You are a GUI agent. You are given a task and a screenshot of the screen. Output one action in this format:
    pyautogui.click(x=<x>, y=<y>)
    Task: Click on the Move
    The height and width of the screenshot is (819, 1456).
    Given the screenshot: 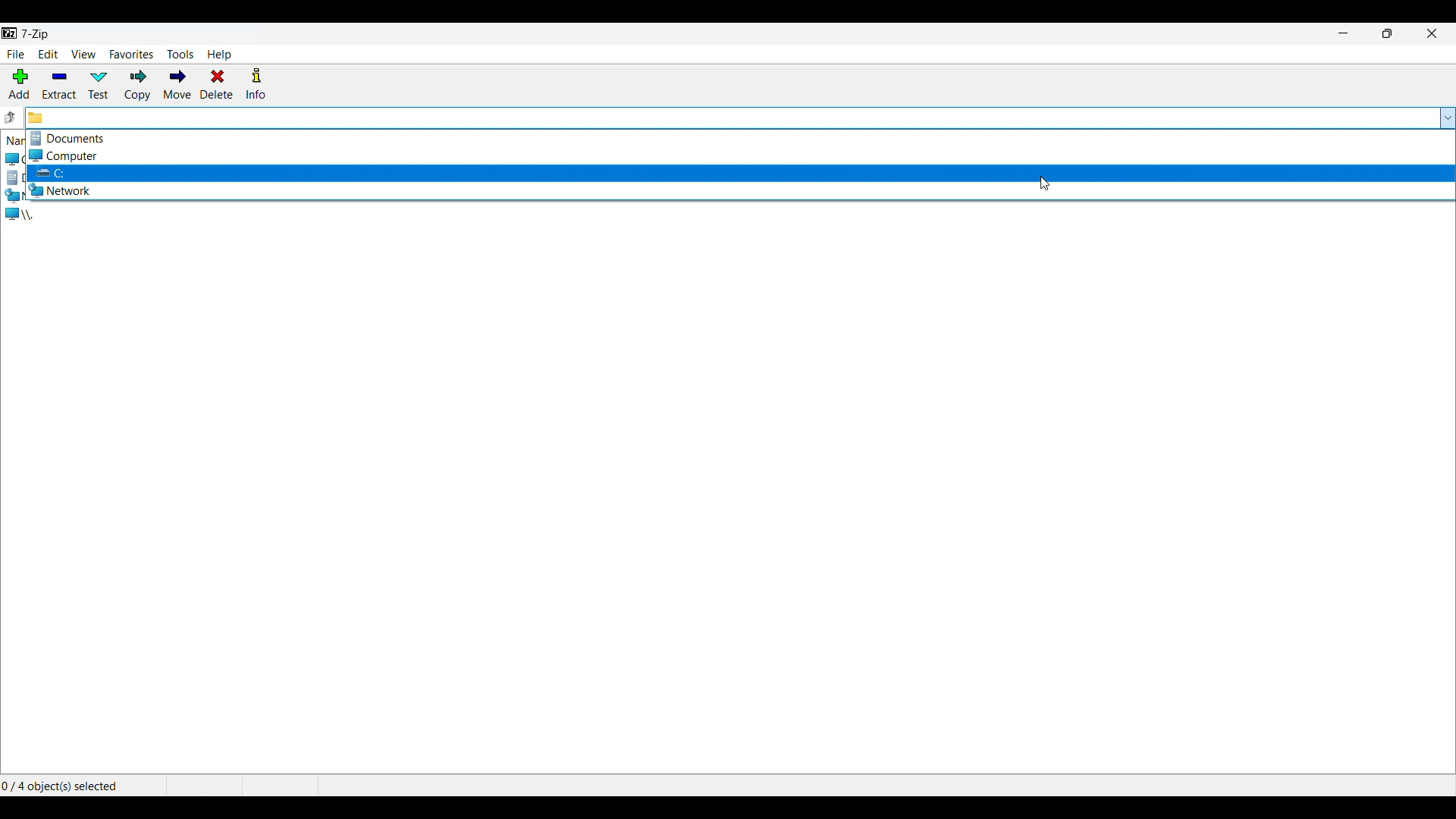 What is the action you would take?
    pyautogui.click(x=177, y=84)
    